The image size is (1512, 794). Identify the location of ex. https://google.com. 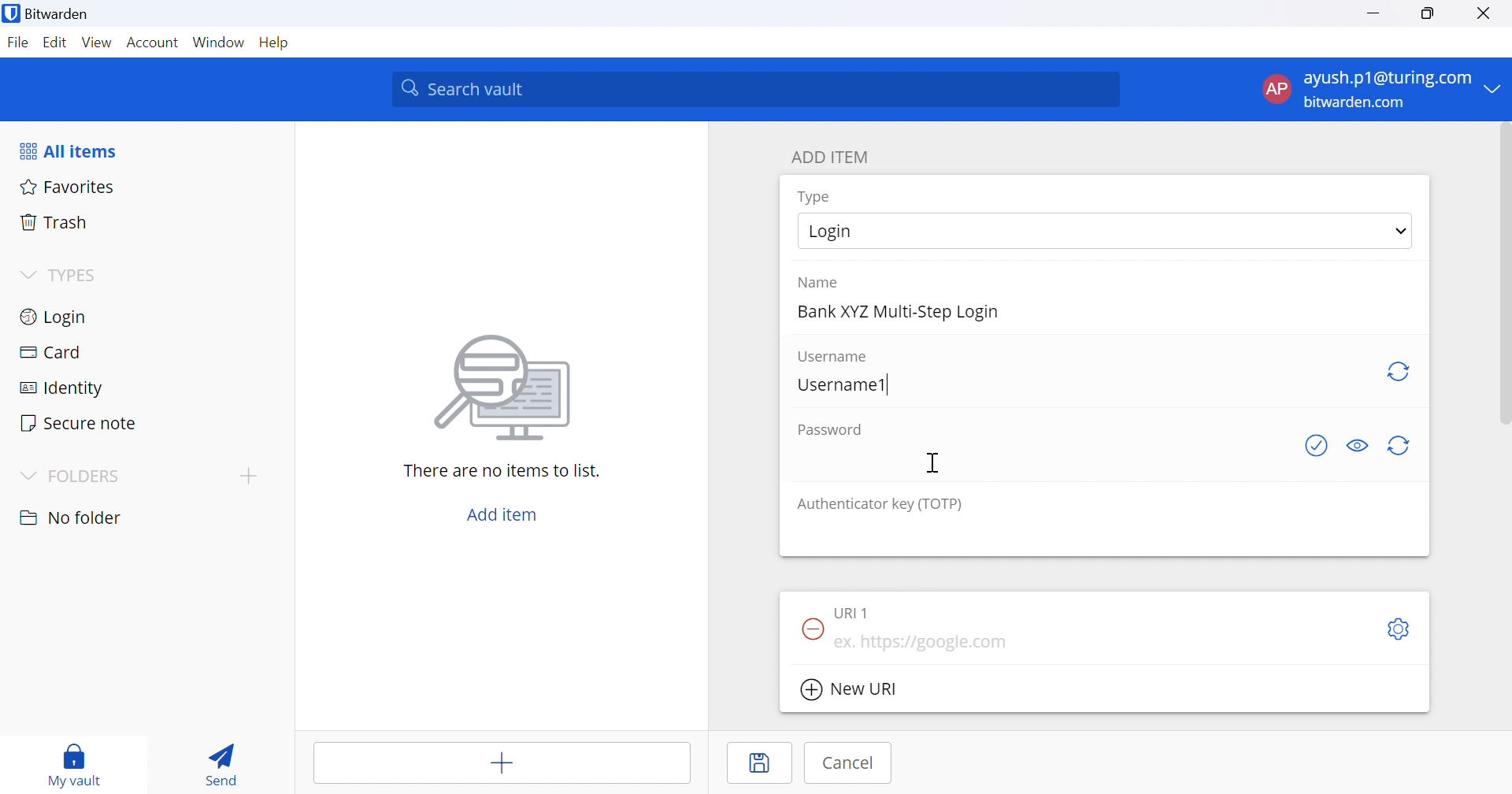
(925, 644).